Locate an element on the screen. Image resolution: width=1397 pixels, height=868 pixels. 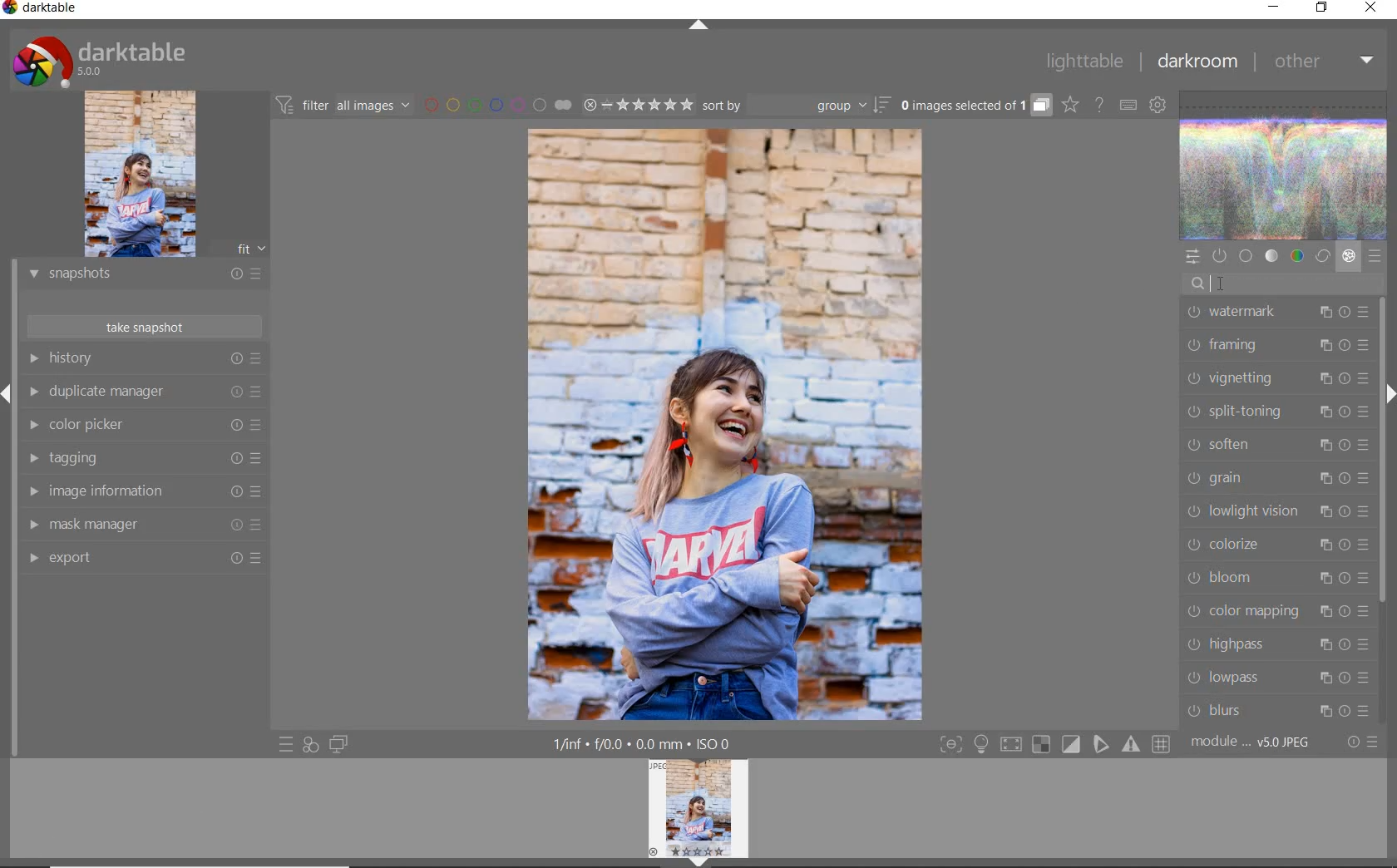
Toggle modes is located at coordinates (1054, 745).